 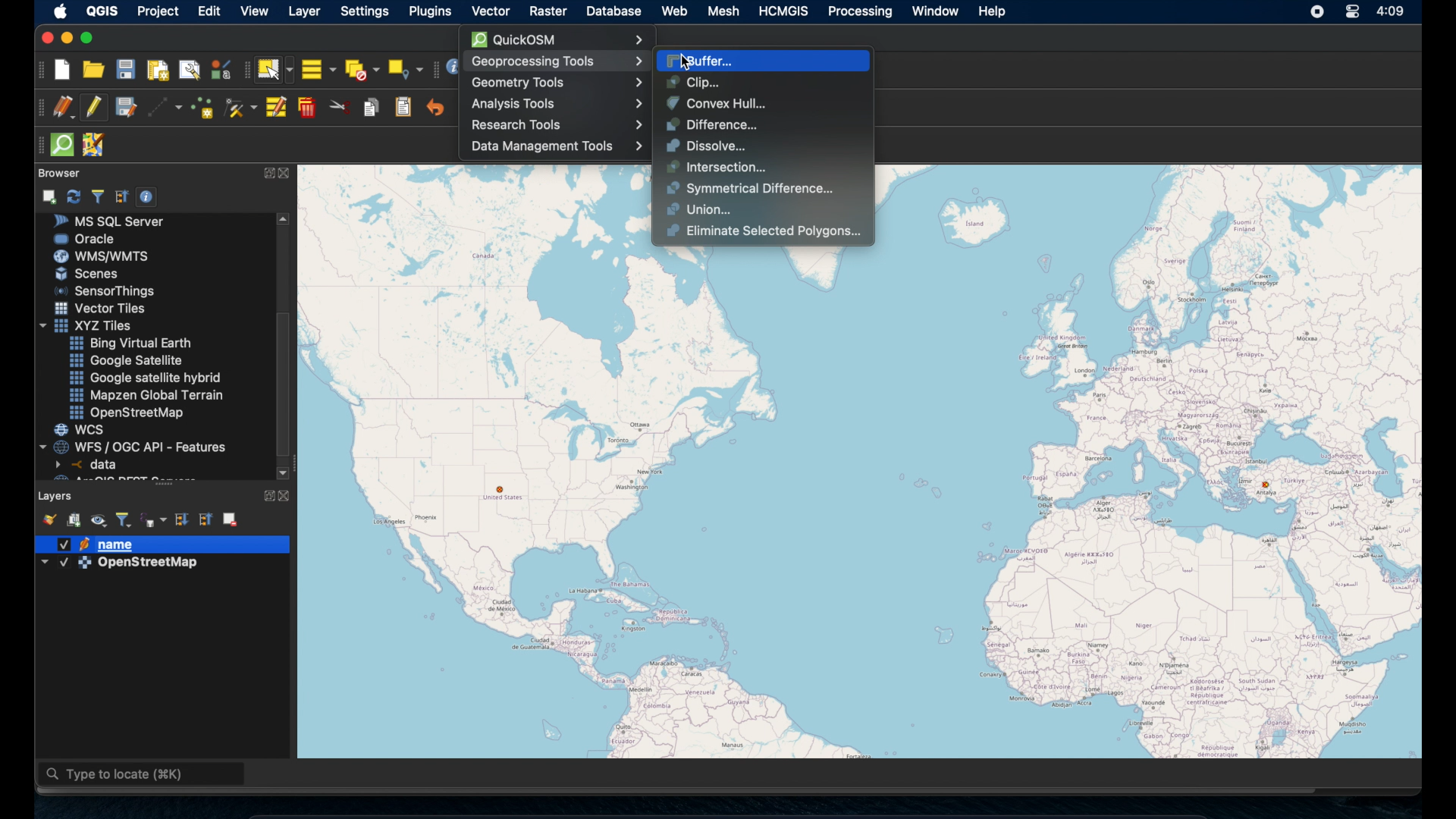 I want to click on add selected layers, so click(x=51, y=196).